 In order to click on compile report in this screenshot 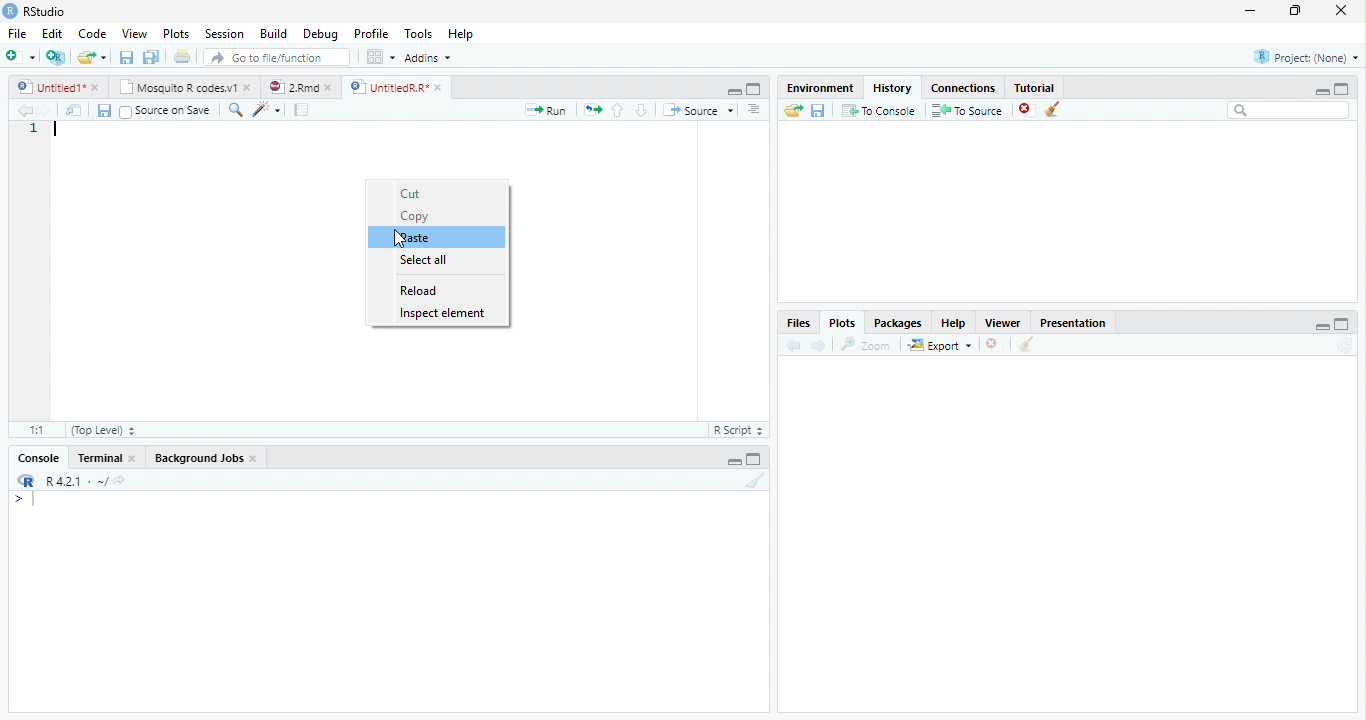, I will do `click(302, 111)`.